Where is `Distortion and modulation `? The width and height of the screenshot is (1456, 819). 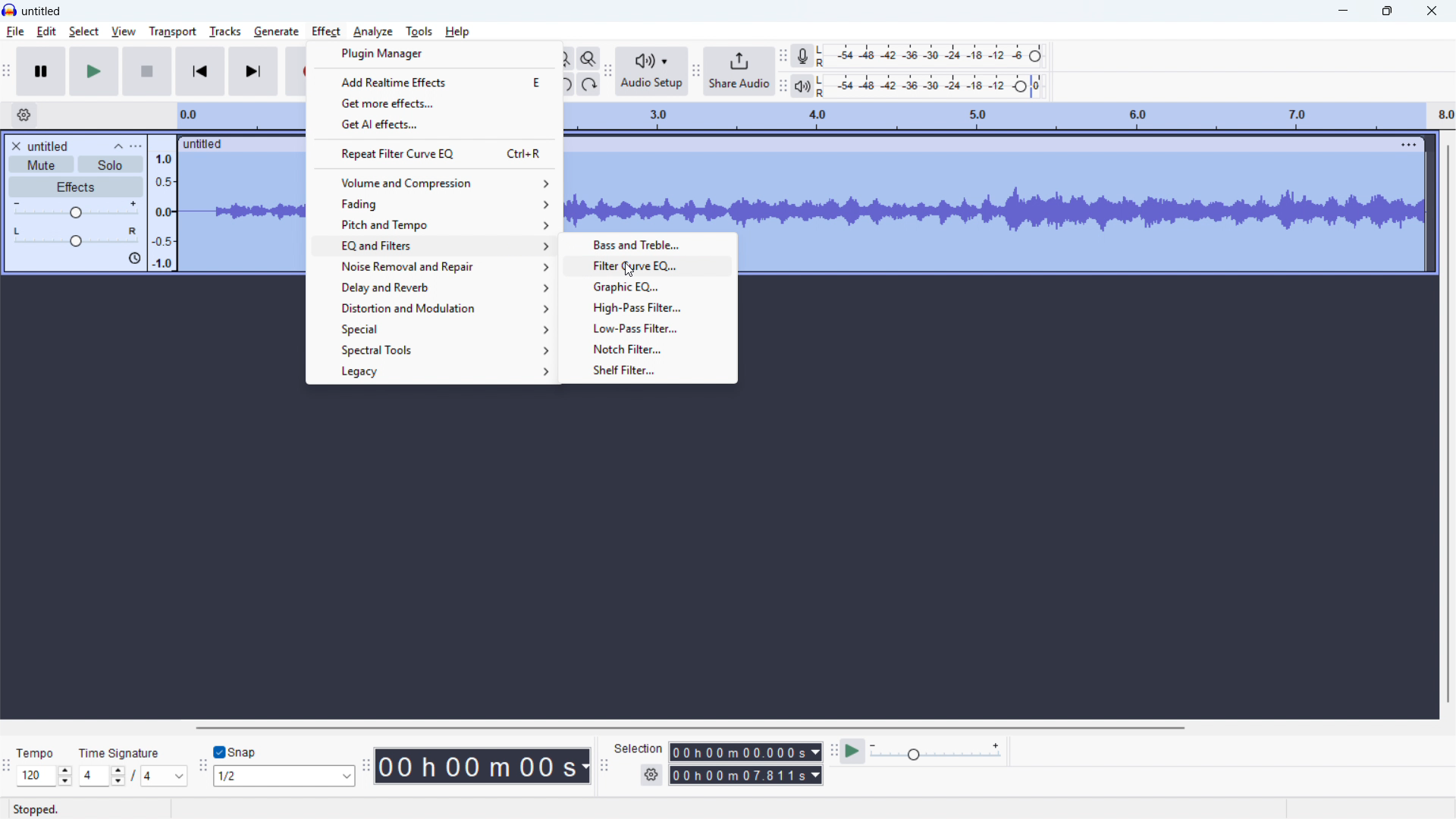
Distortion and modulation  is located at coordinates (434, 307).